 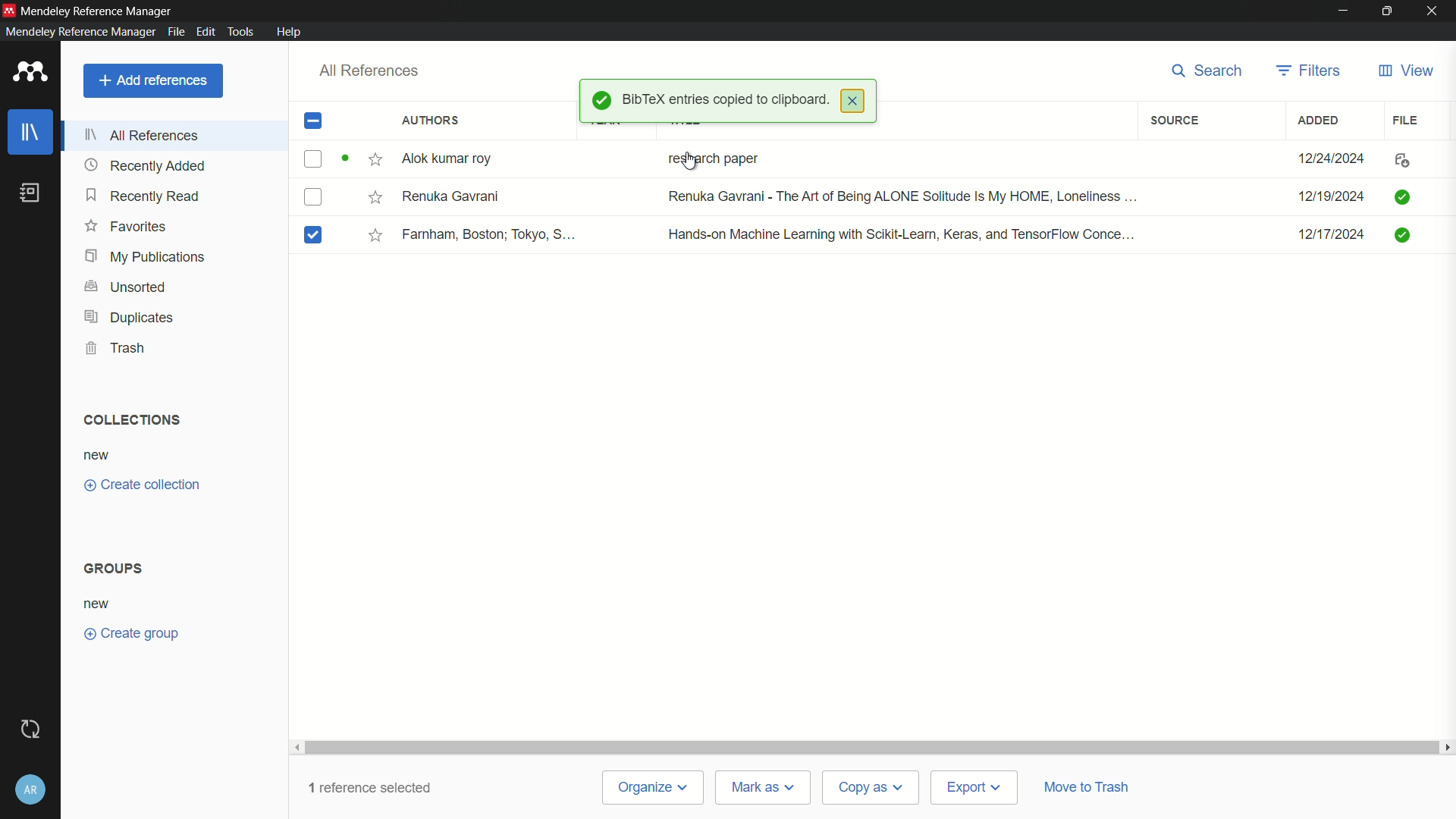 I want to click on copy as, so click(x=870, y=786).